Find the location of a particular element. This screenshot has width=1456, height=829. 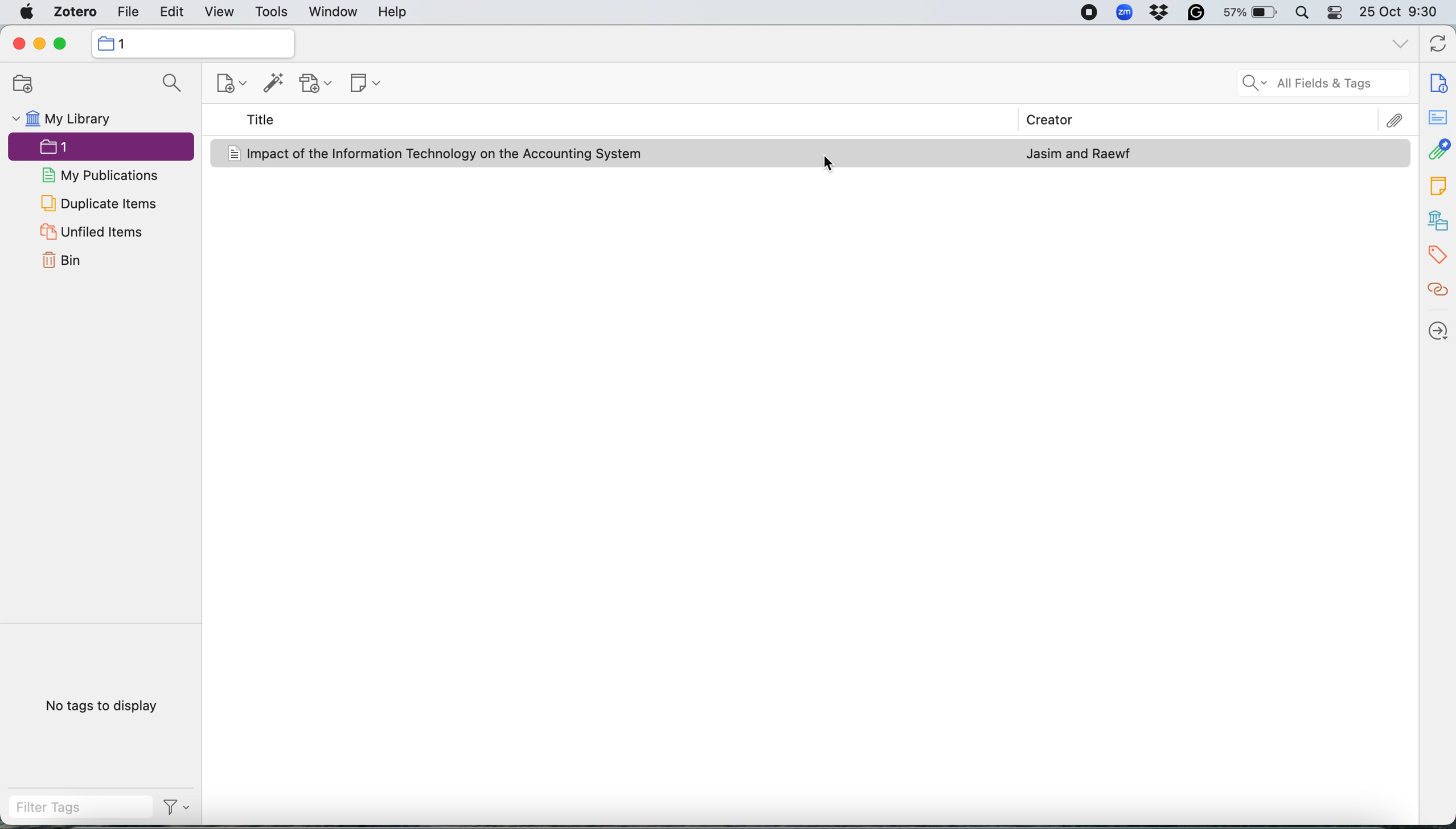

no tags to display is located at coordinates (99, 706).